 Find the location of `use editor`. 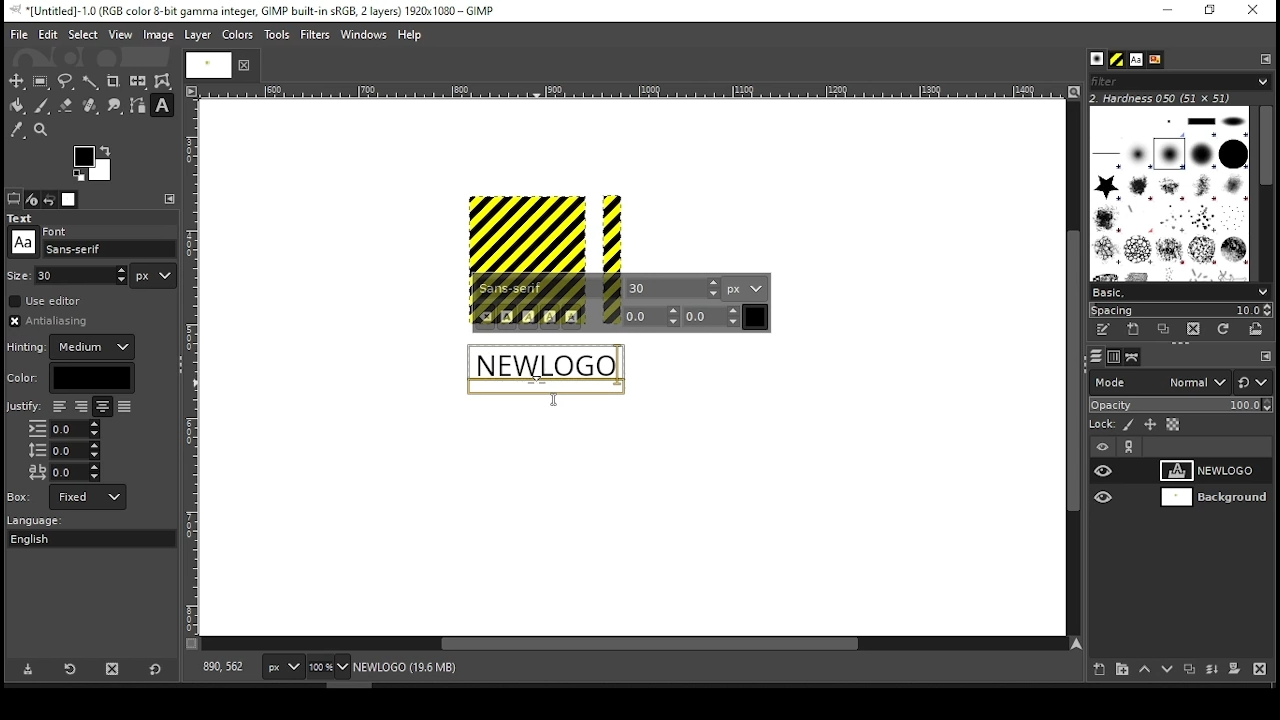

use editor is located at coordinates (47, 301).